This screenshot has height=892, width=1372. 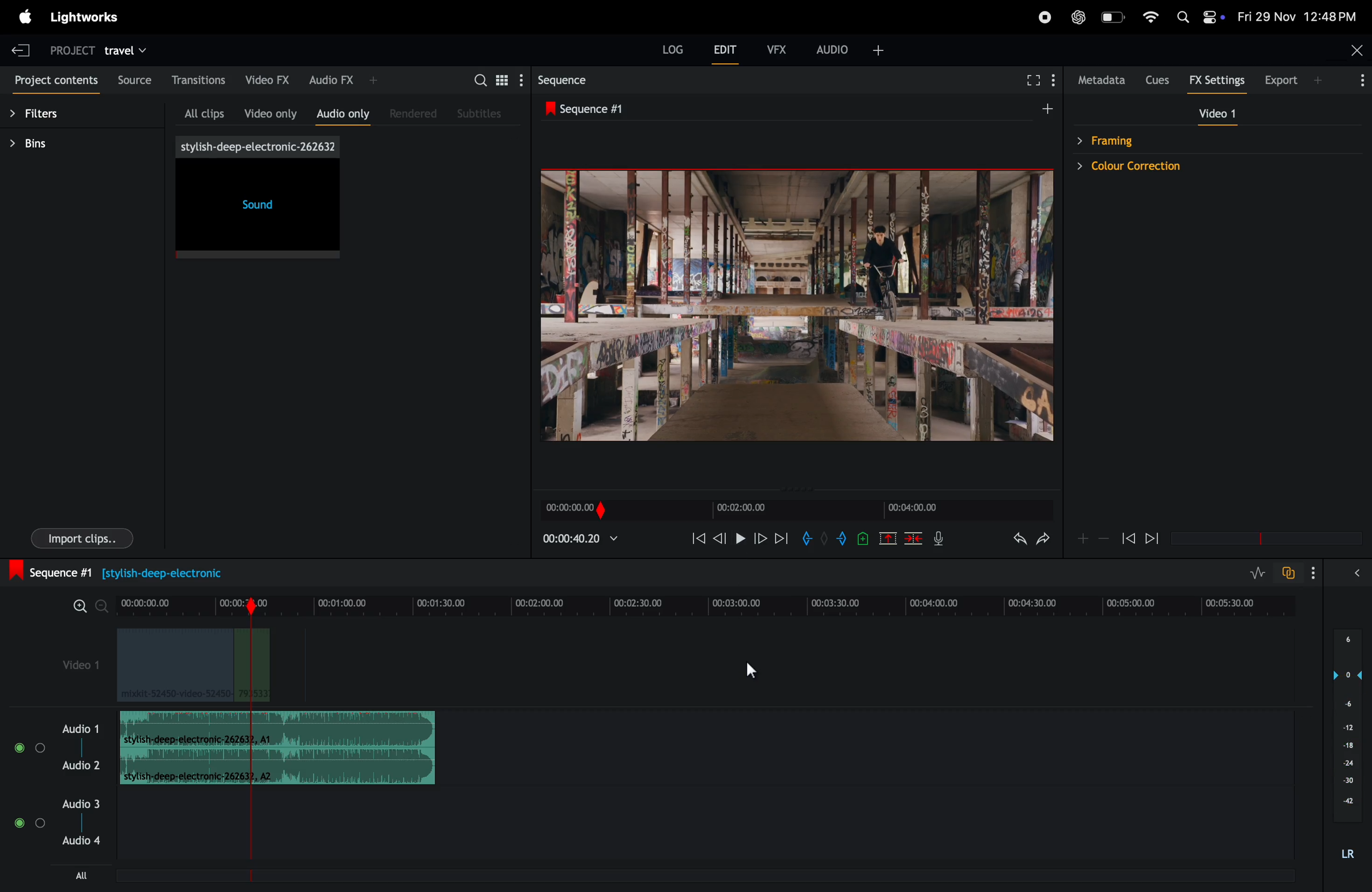 What do you see at coordinates (1076, 18) in the screenshot?
I see `chatgpt` at bounding box center [1076, 18].